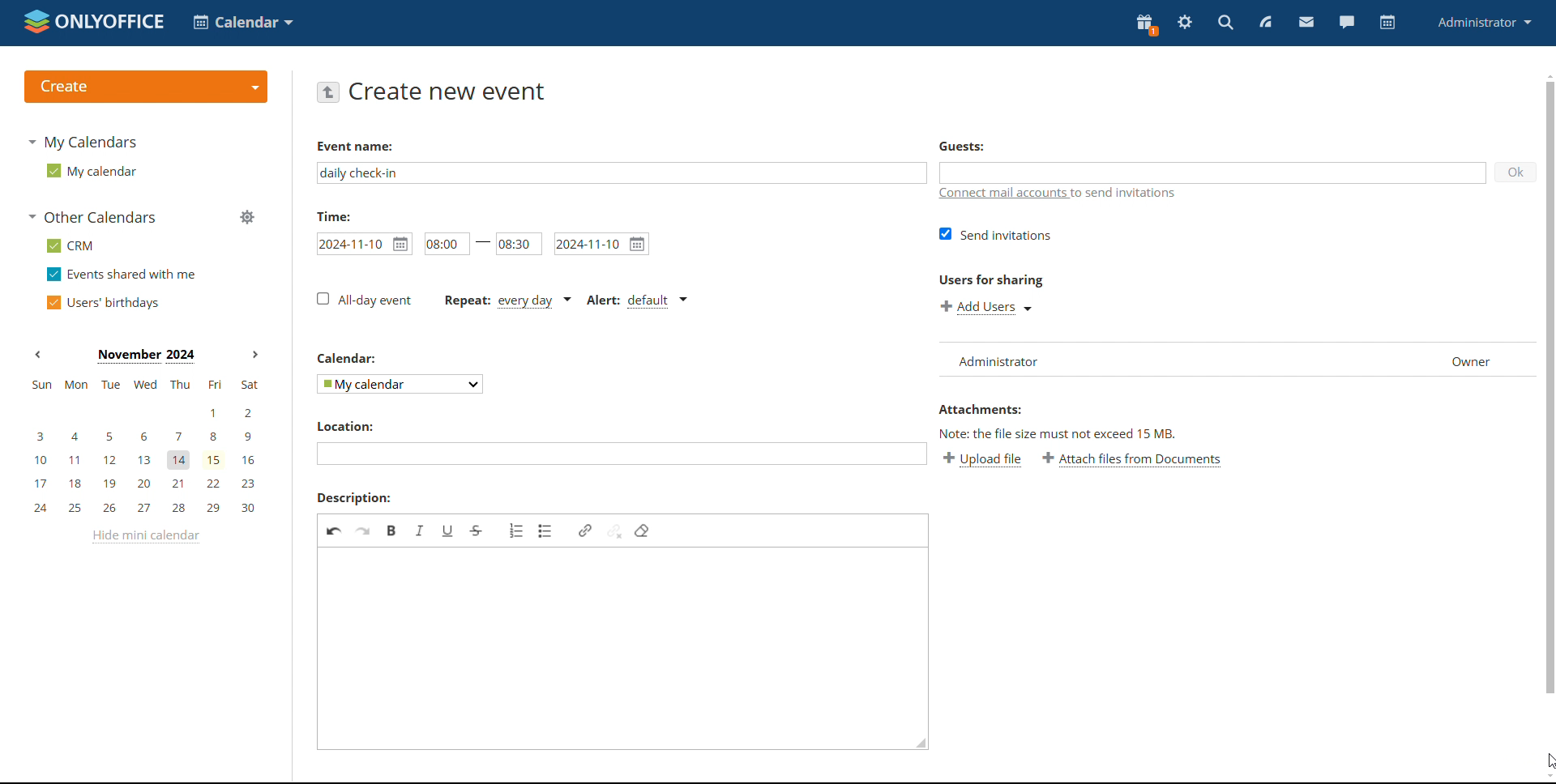 The width and height of the screenshot is (1556, 784). Describe the element at coordinates (83, 141) in the screenshot. I see `my calendars` at that location.